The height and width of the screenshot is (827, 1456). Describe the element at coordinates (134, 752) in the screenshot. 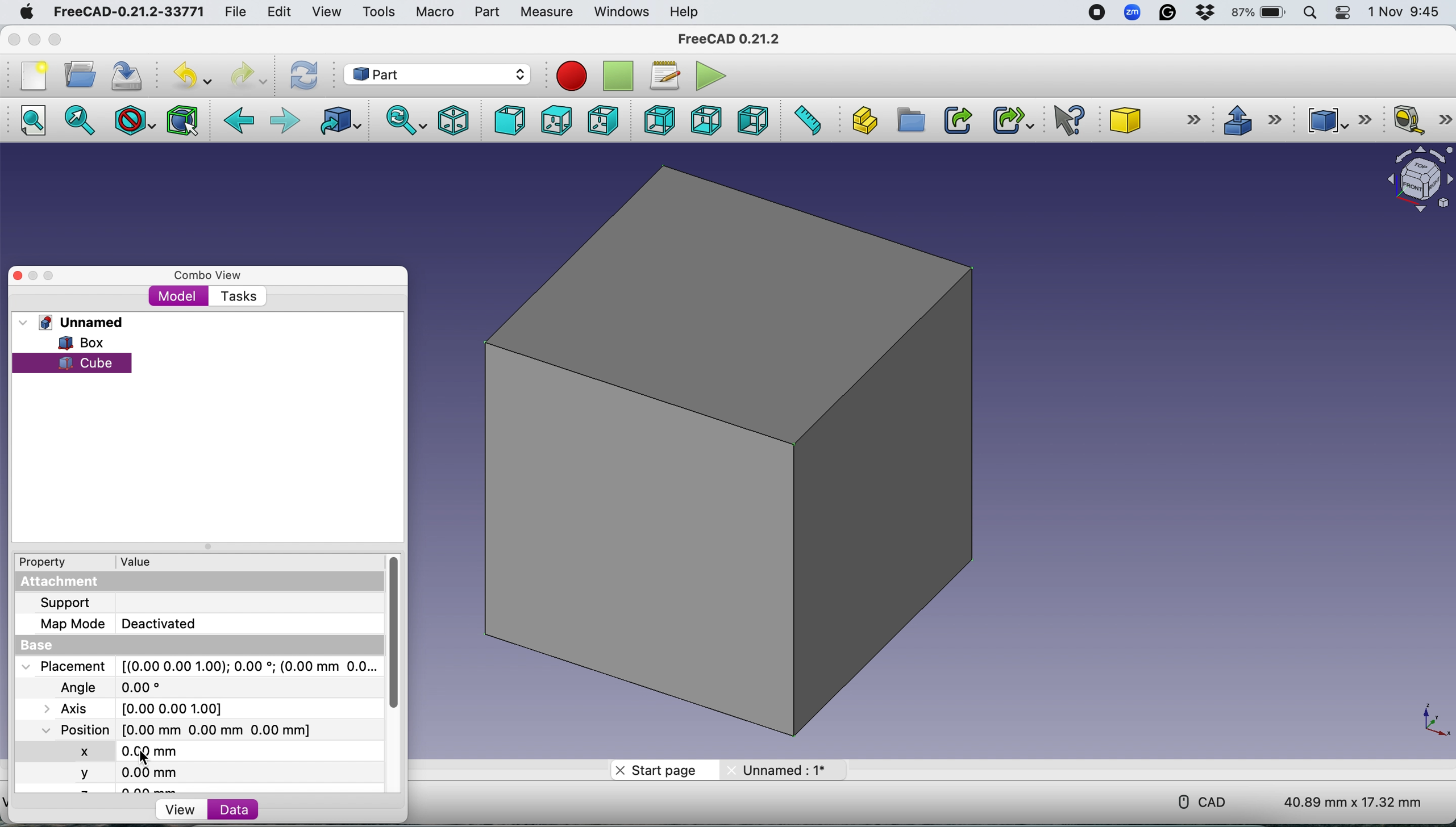

I see `x 0.00 mm` at that location.